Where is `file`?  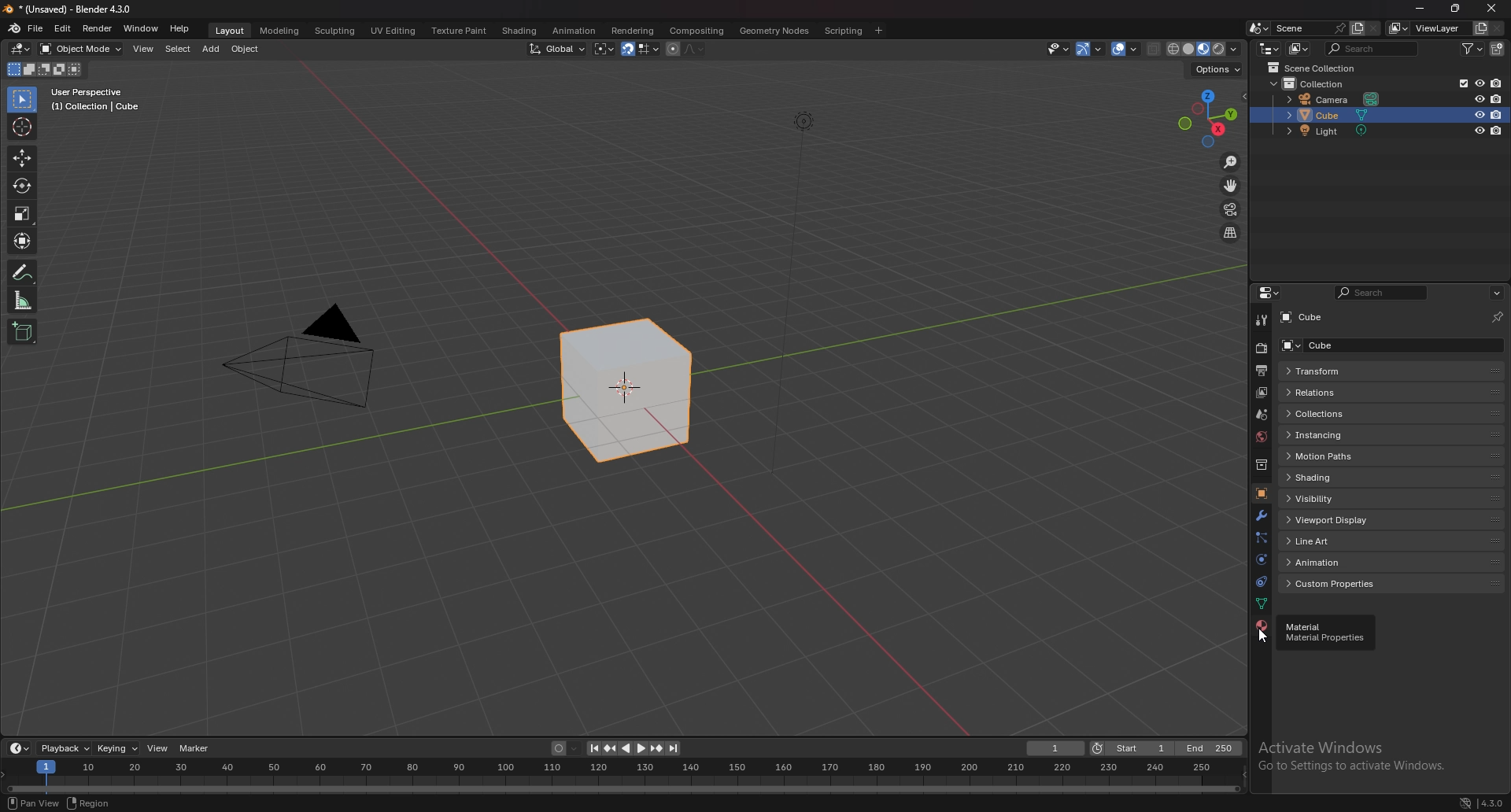
file is located at coordinates (38, 28).